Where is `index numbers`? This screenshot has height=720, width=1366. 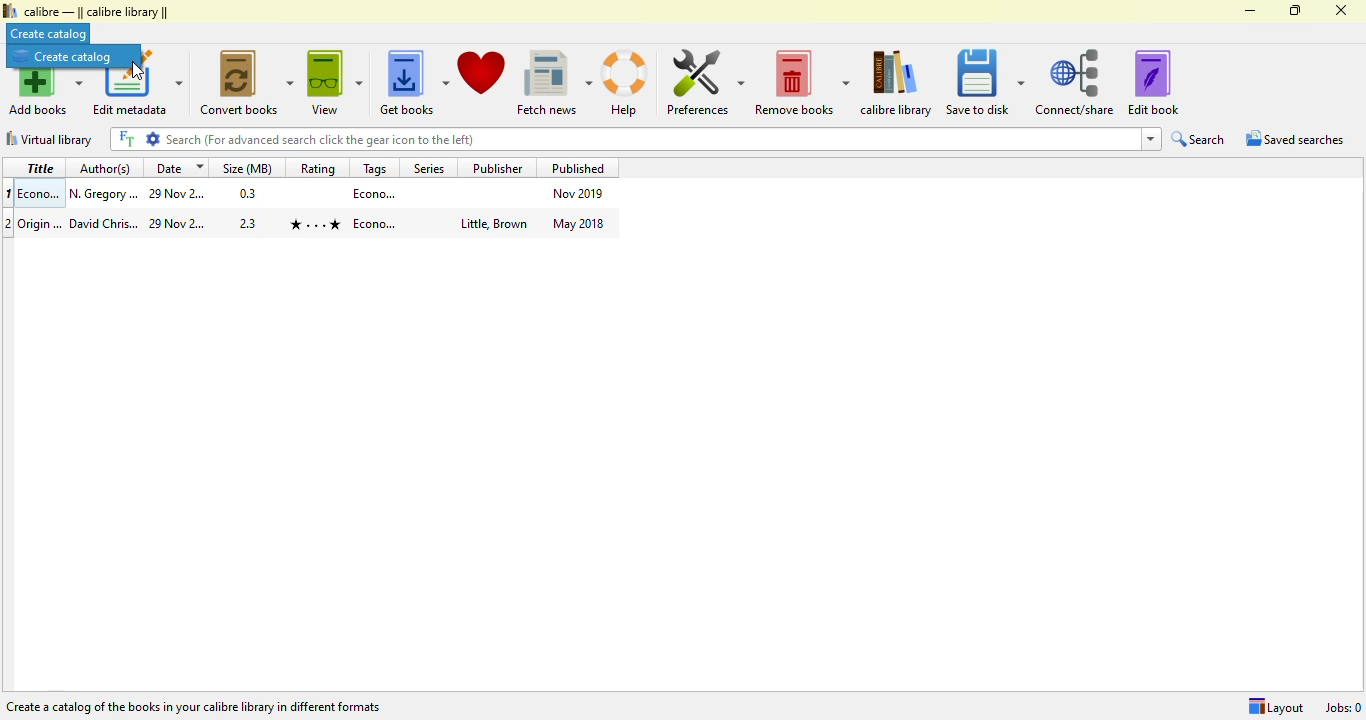
index numbers is located at coordinates (7, 208).